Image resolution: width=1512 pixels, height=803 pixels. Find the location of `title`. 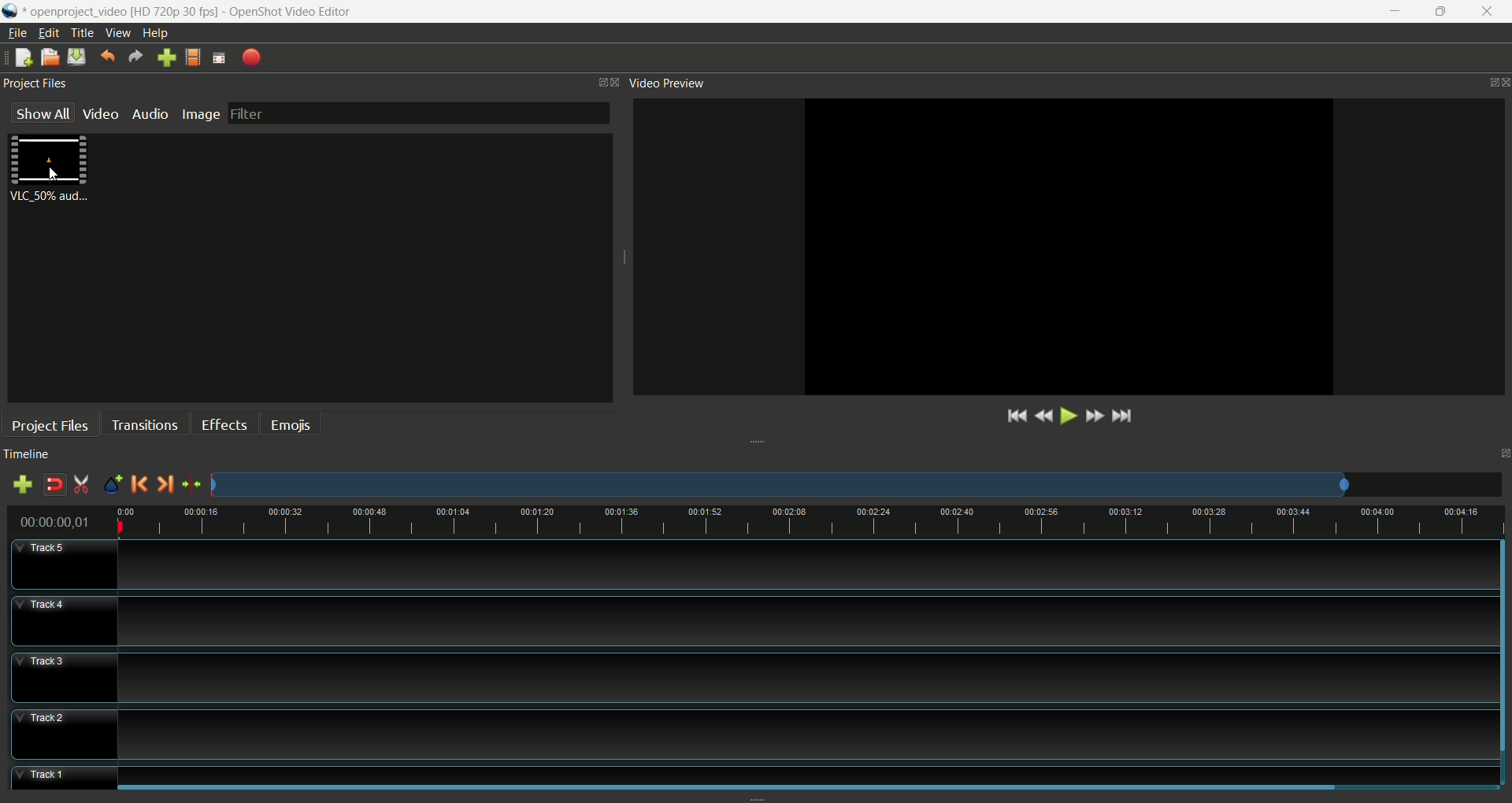

title is located at coordinates (81, 33).